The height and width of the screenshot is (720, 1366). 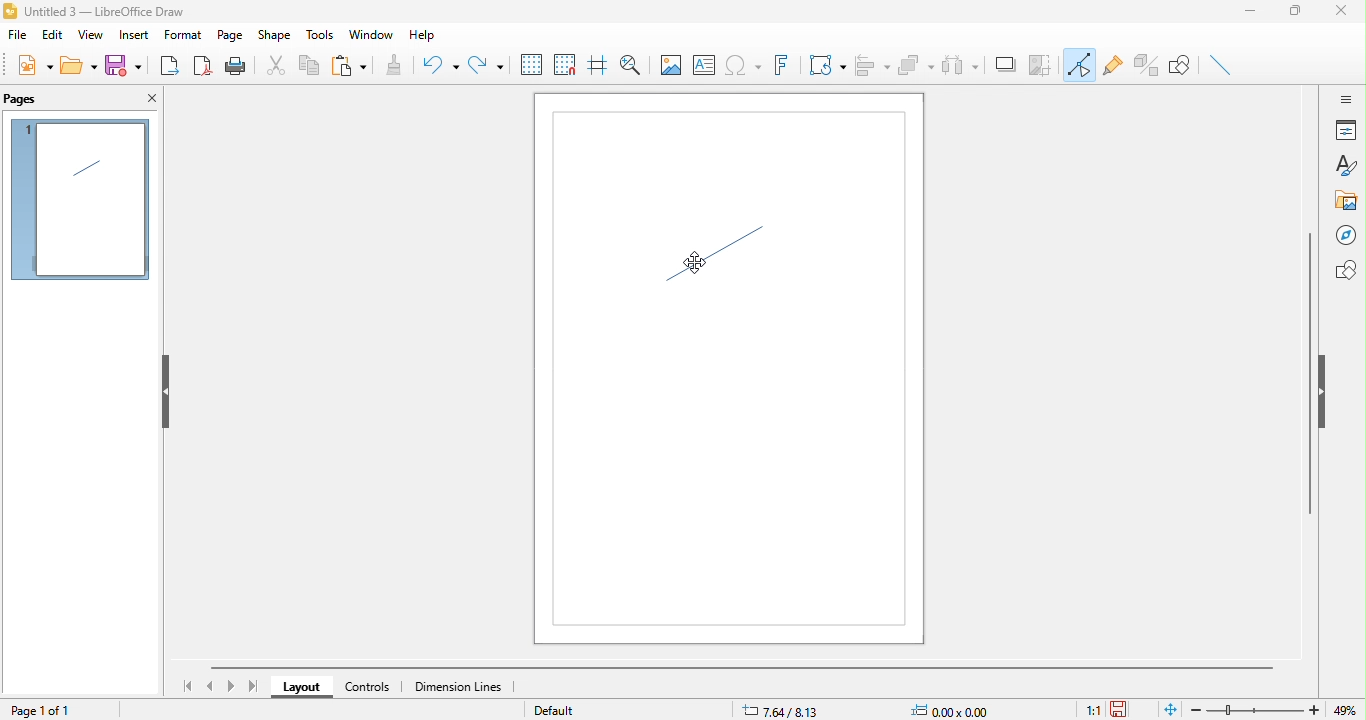 What do you see at coordinates (275, 36) in the screenshot?
I see `shape` at bounding box center [275, 36].